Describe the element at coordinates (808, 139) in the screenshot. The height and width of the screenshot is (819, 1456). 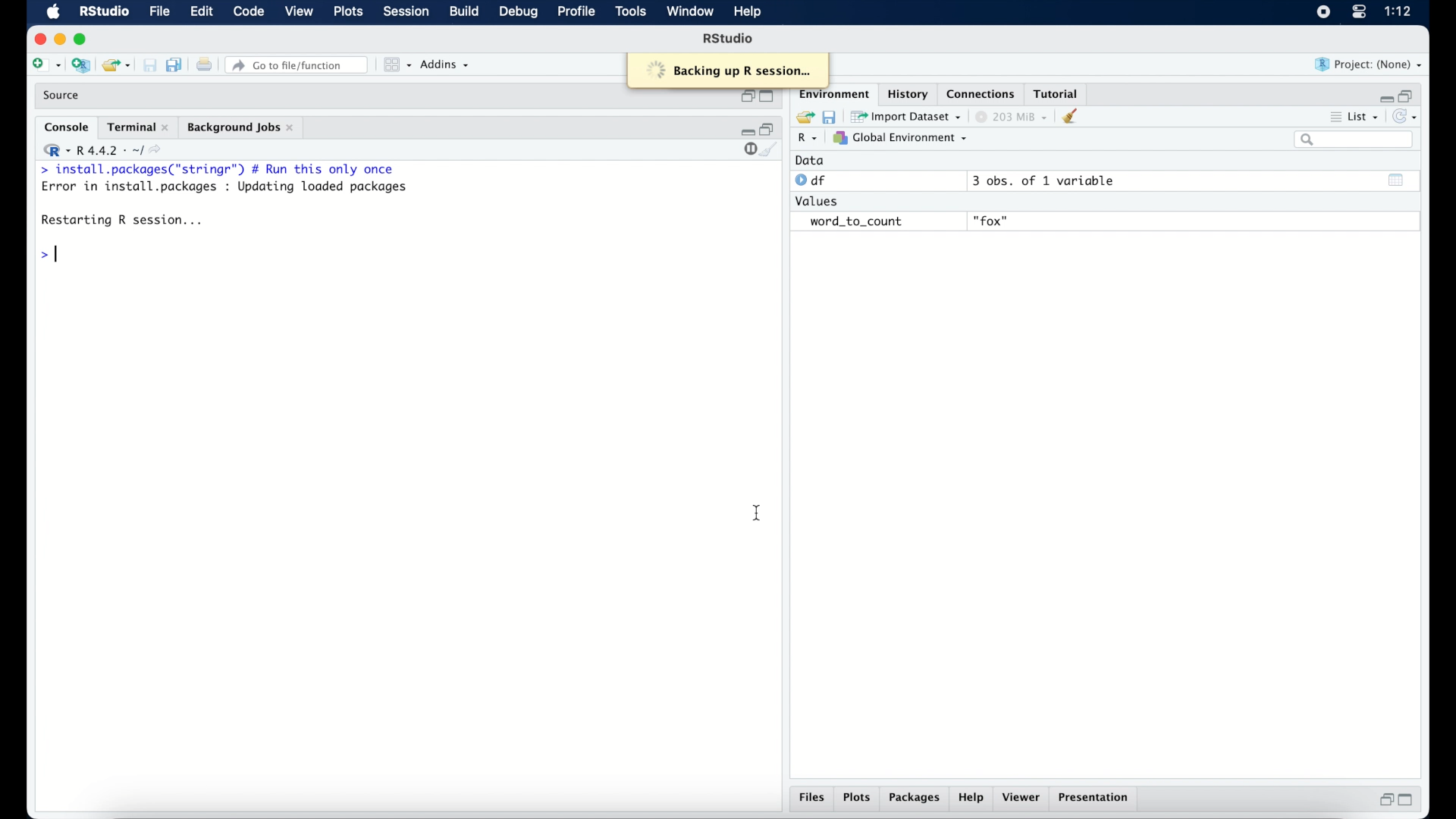
I see `R` at that location.